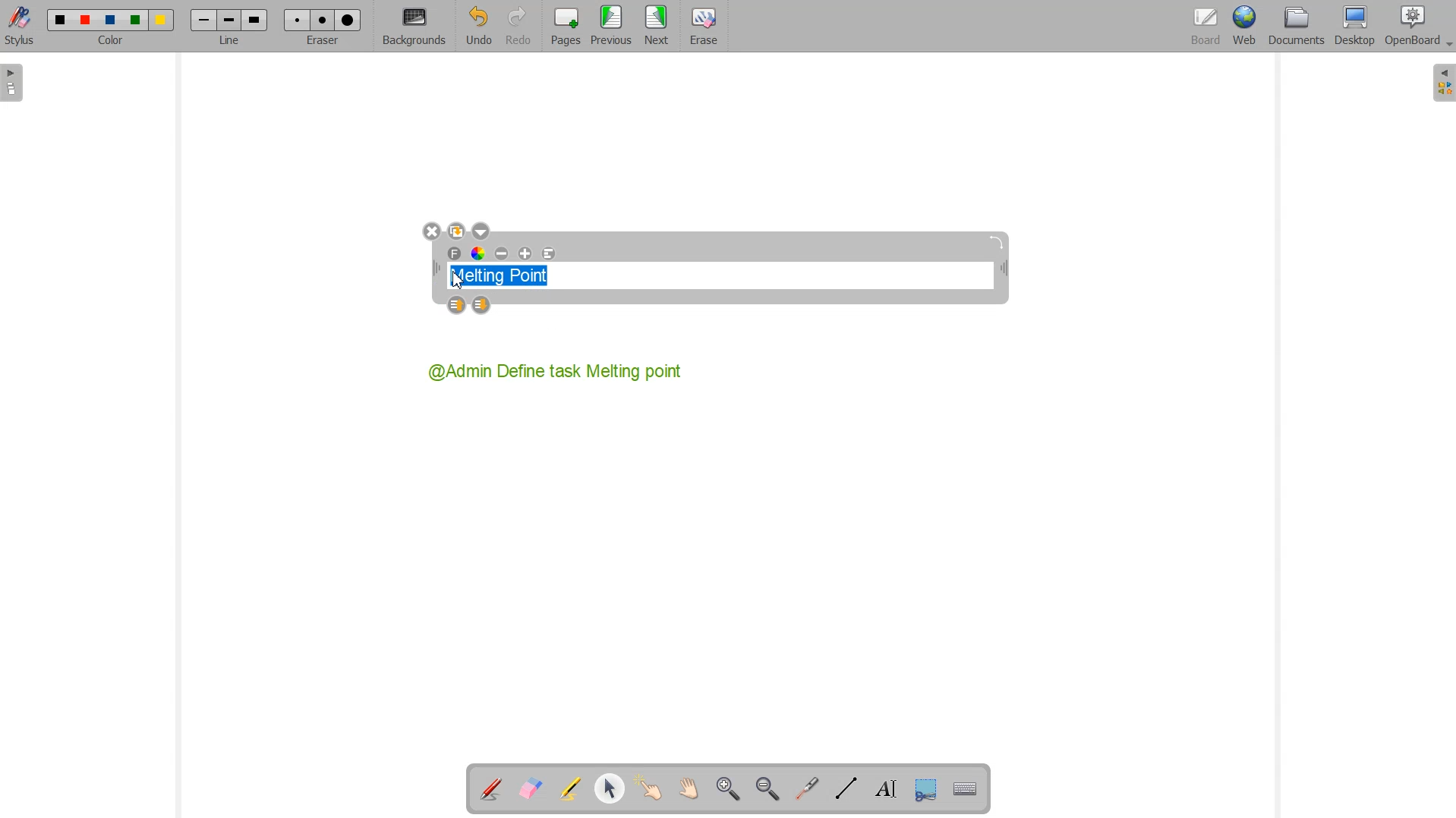 Image resolution: width=1456 pixels, height=818 pixels. I want to click on Undo, so click(478, 26).